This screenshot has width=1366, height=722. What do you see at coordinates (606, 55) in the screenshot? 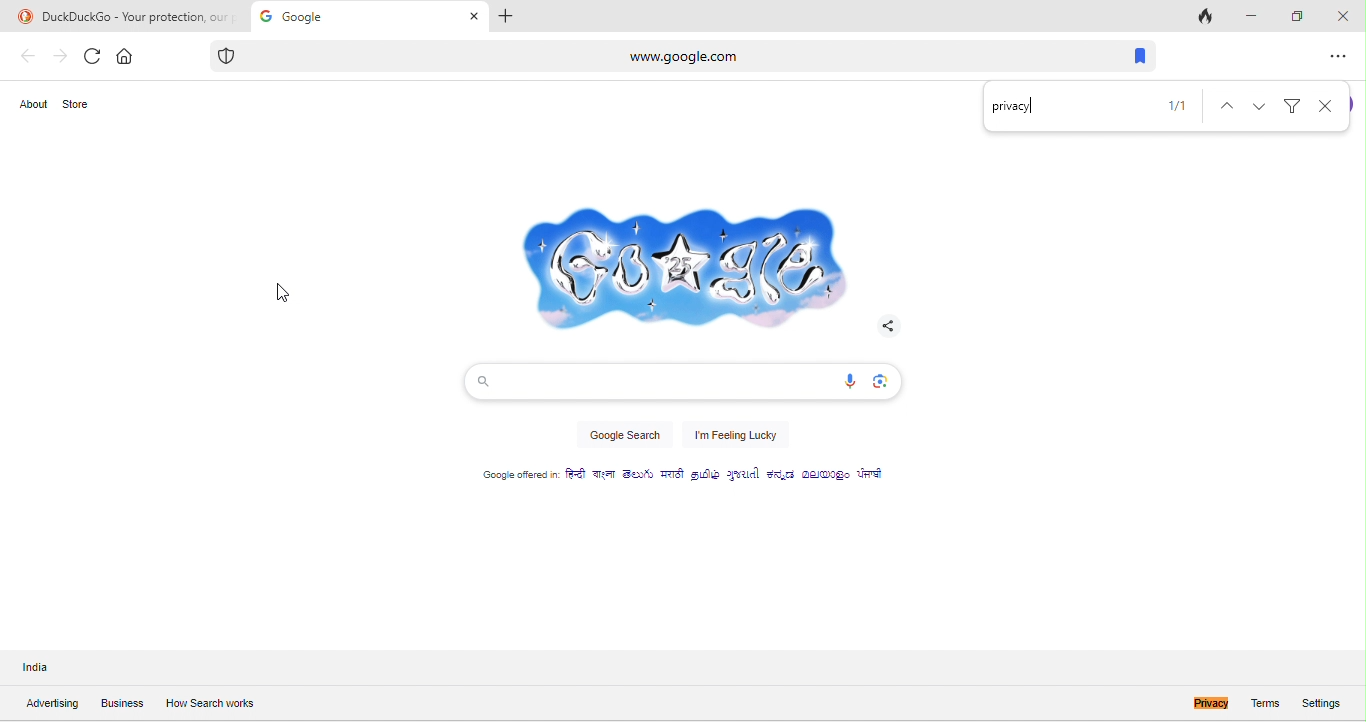
I see `www.google.com` at bounding box center [606, 55].